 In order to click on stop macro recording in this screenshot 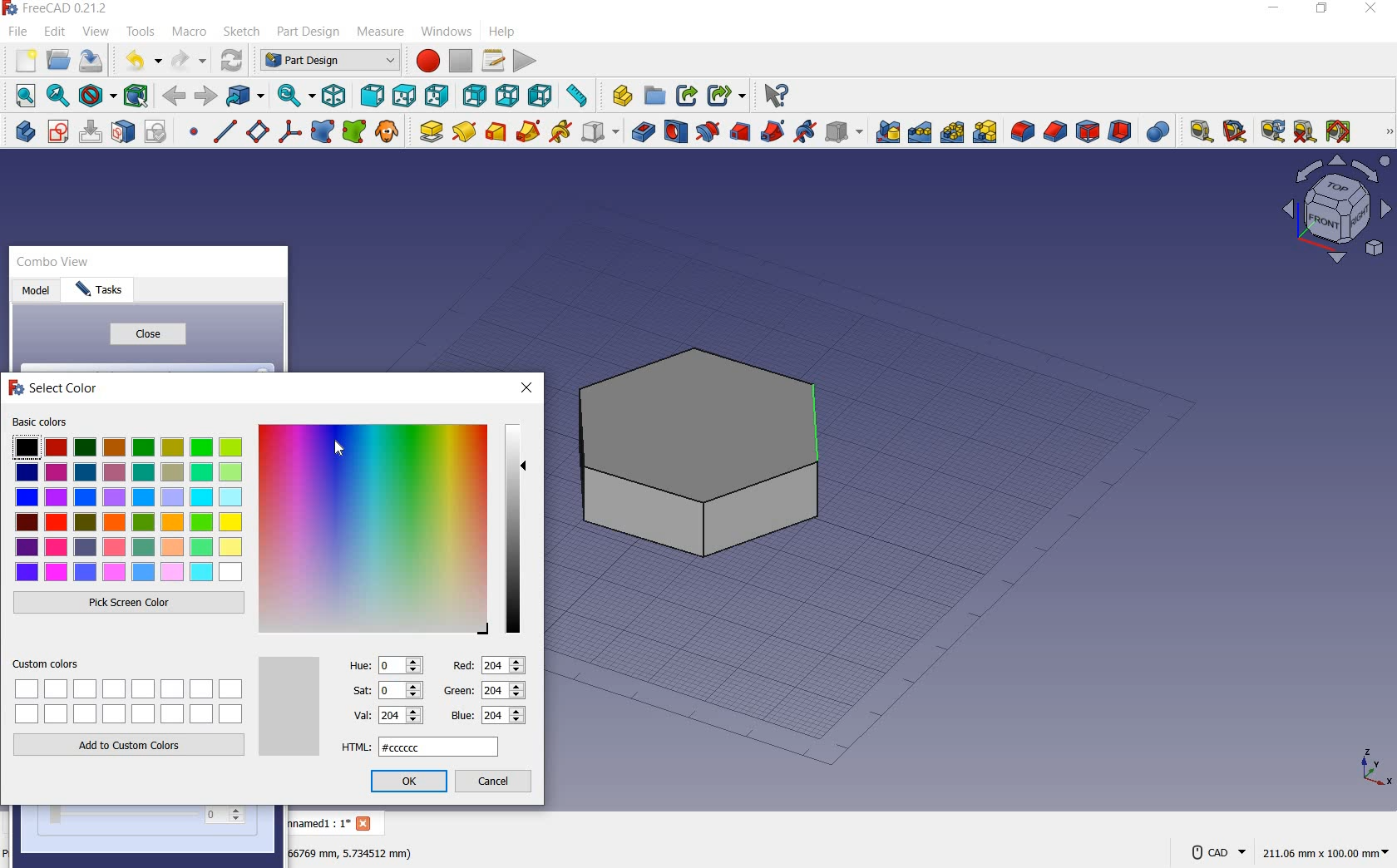, I will do `click(461, 61)`.